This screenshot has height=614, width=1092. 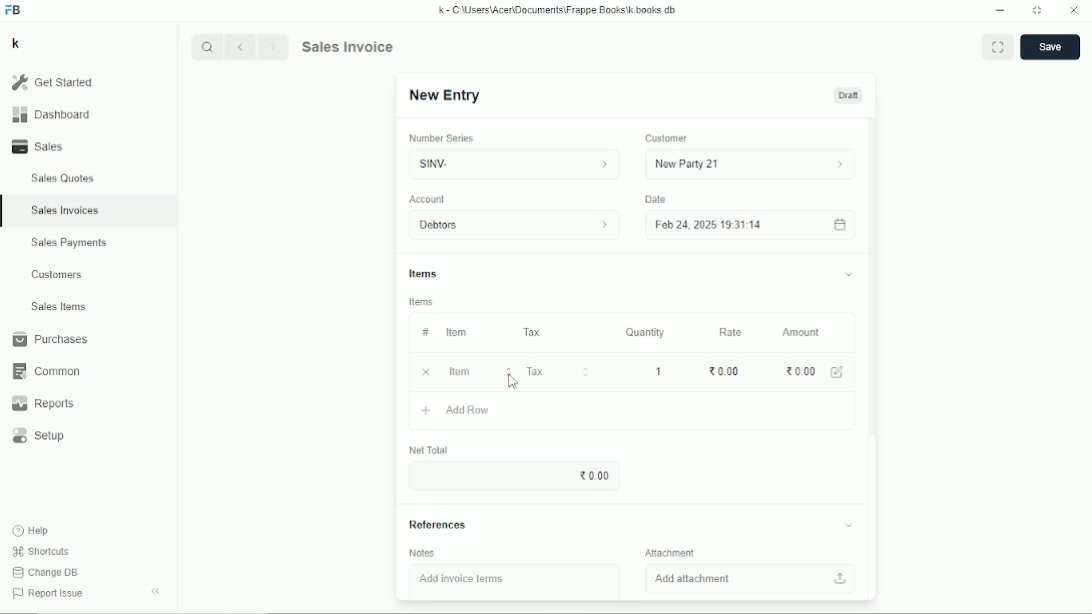 I want to click on Toggle between form and full width, so click(x=1038, y=11).